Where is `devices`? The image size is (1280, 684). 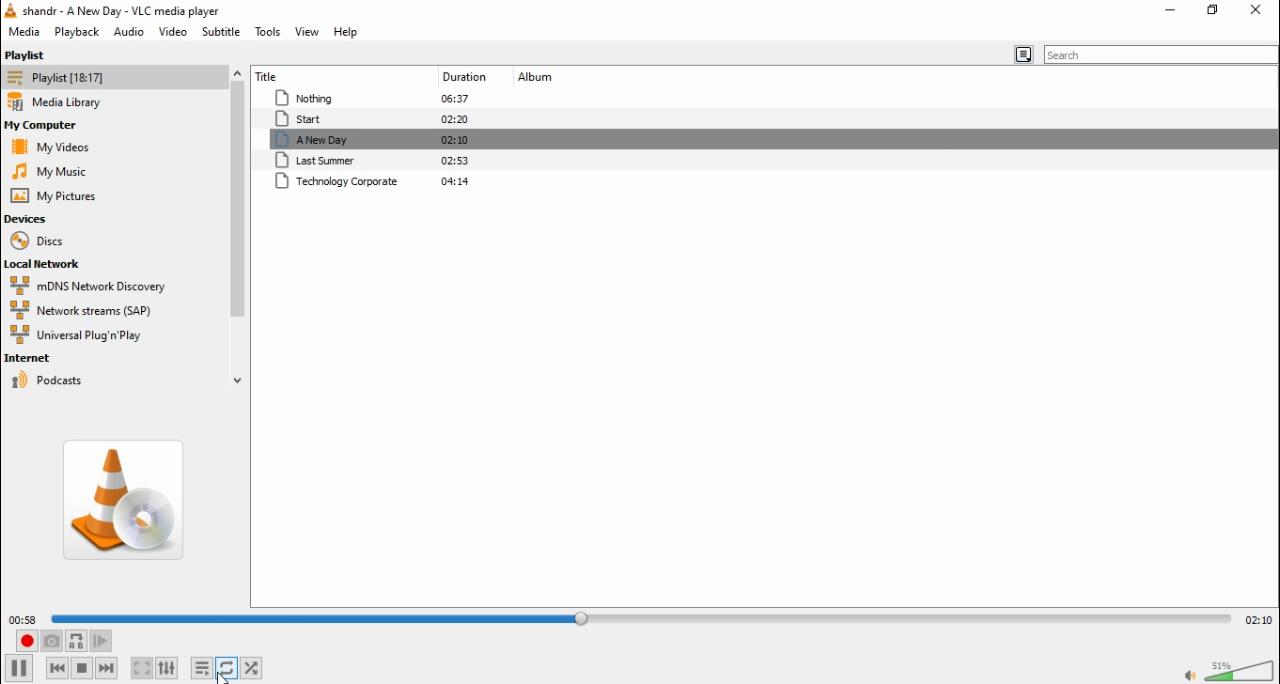 devices is located at coordinates (30, 219).